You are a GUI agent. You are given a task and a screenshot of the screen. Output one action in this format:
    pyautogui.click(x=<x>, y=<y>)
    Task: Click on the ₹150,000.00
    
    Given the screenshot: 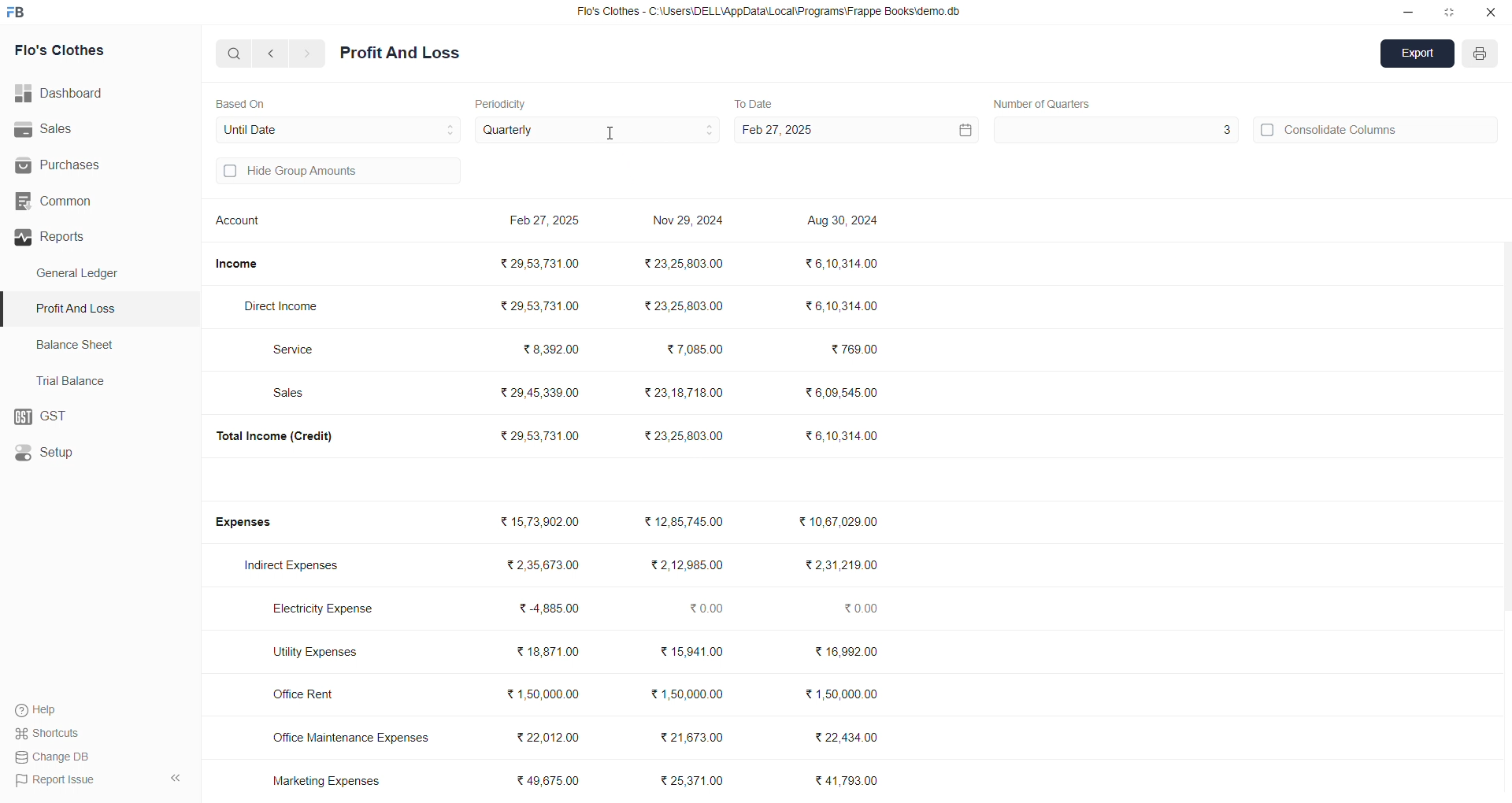 What is the action you would take?
    pyautogui.click(x=543, y=694)
    